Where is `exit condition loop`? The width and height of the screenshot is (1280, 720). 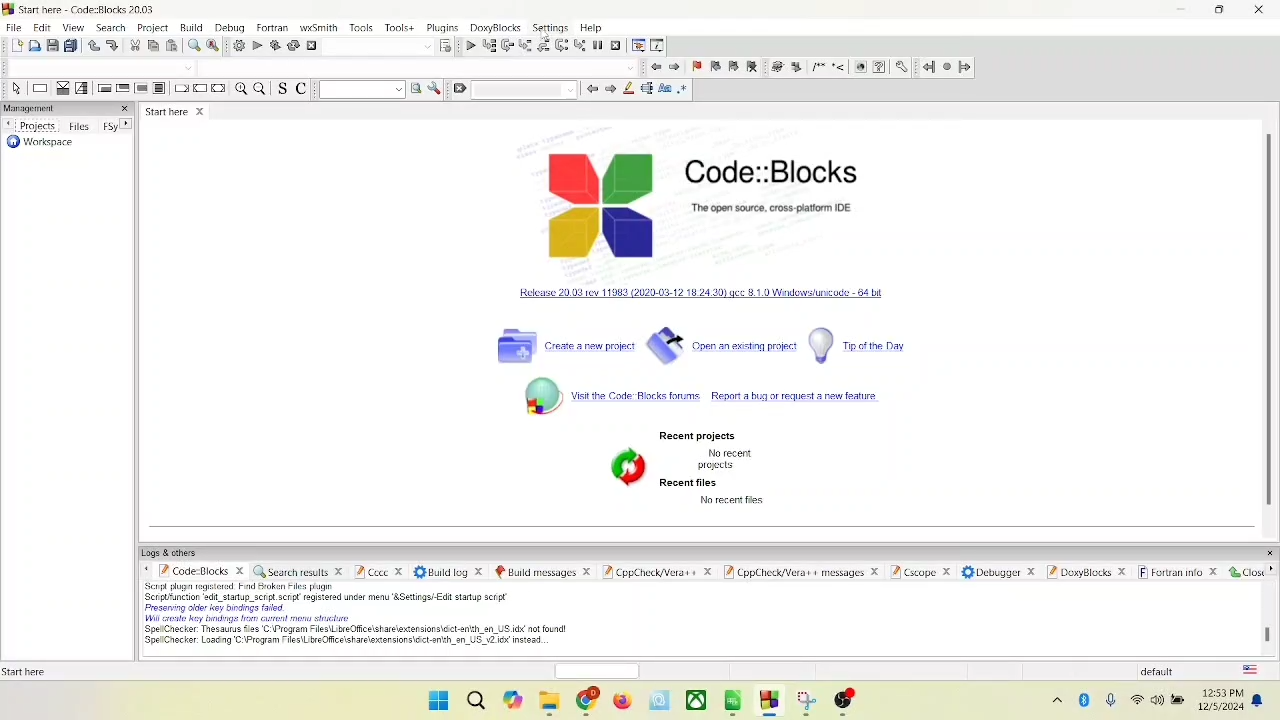
exit condition loop is located at coordinates (123, 88).